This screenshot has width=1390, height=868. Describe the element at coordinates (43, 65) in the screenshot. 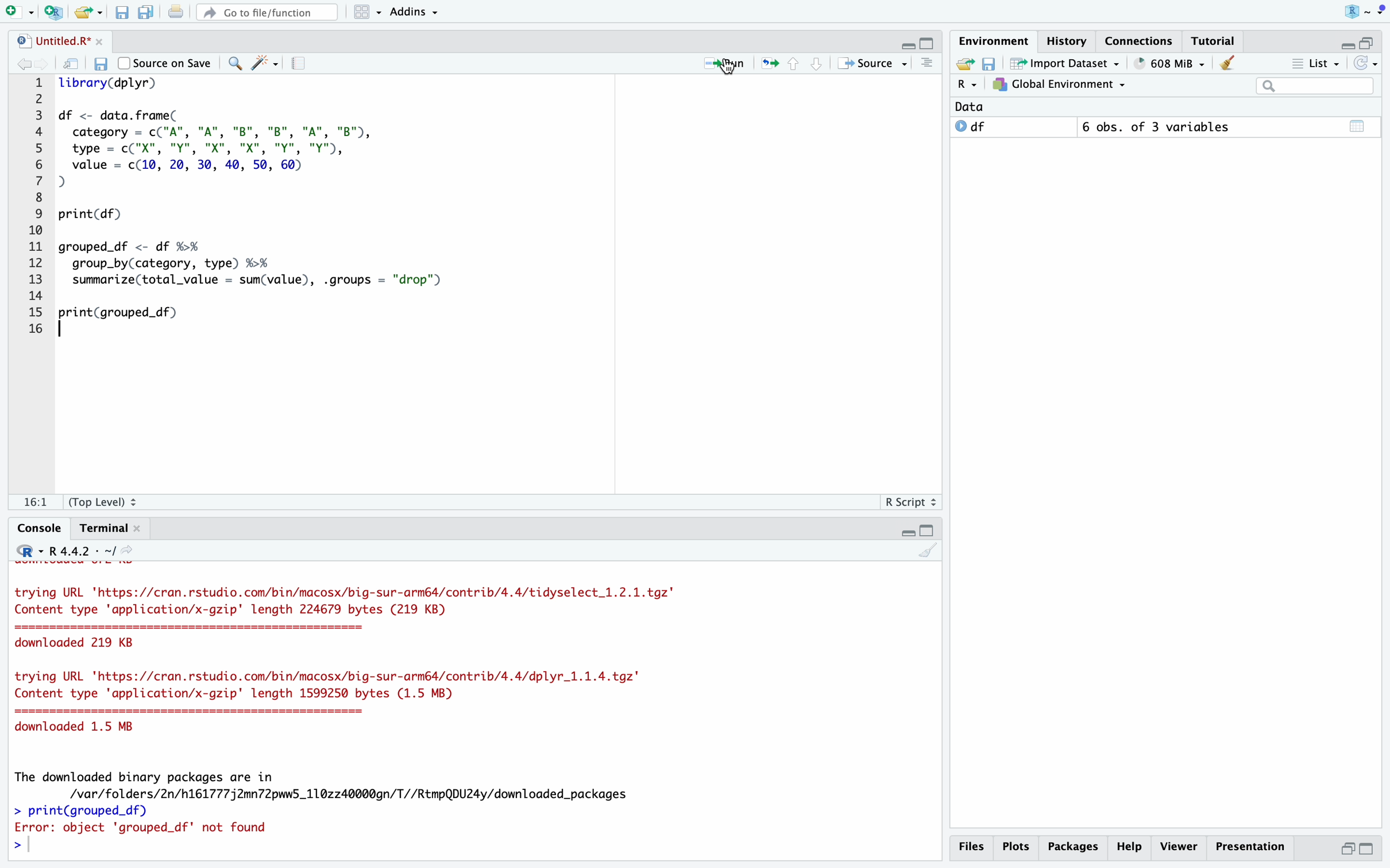

I see `Go to next location` at that location.